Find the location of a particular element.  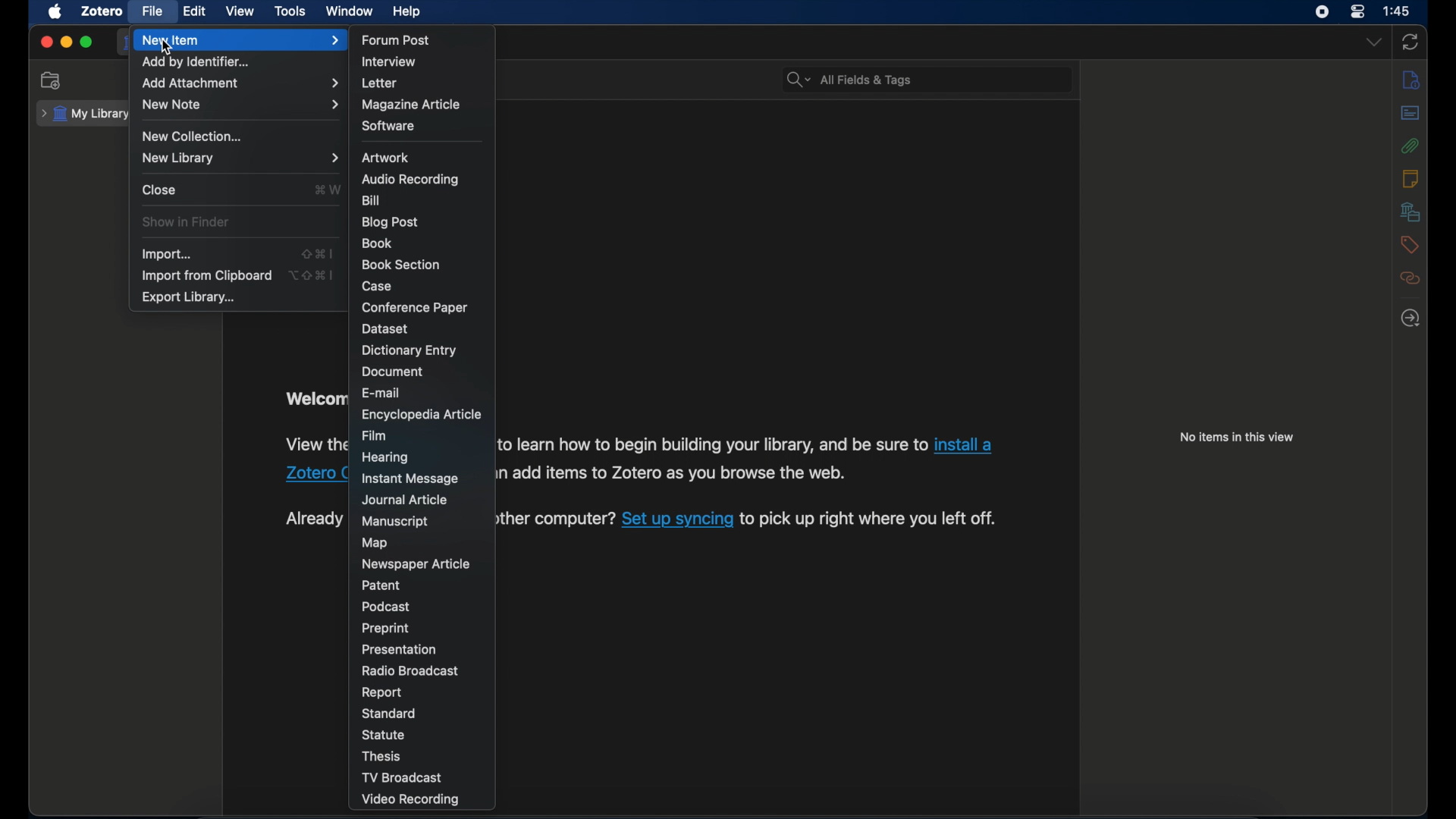

close is located at coordinates (45, 42).